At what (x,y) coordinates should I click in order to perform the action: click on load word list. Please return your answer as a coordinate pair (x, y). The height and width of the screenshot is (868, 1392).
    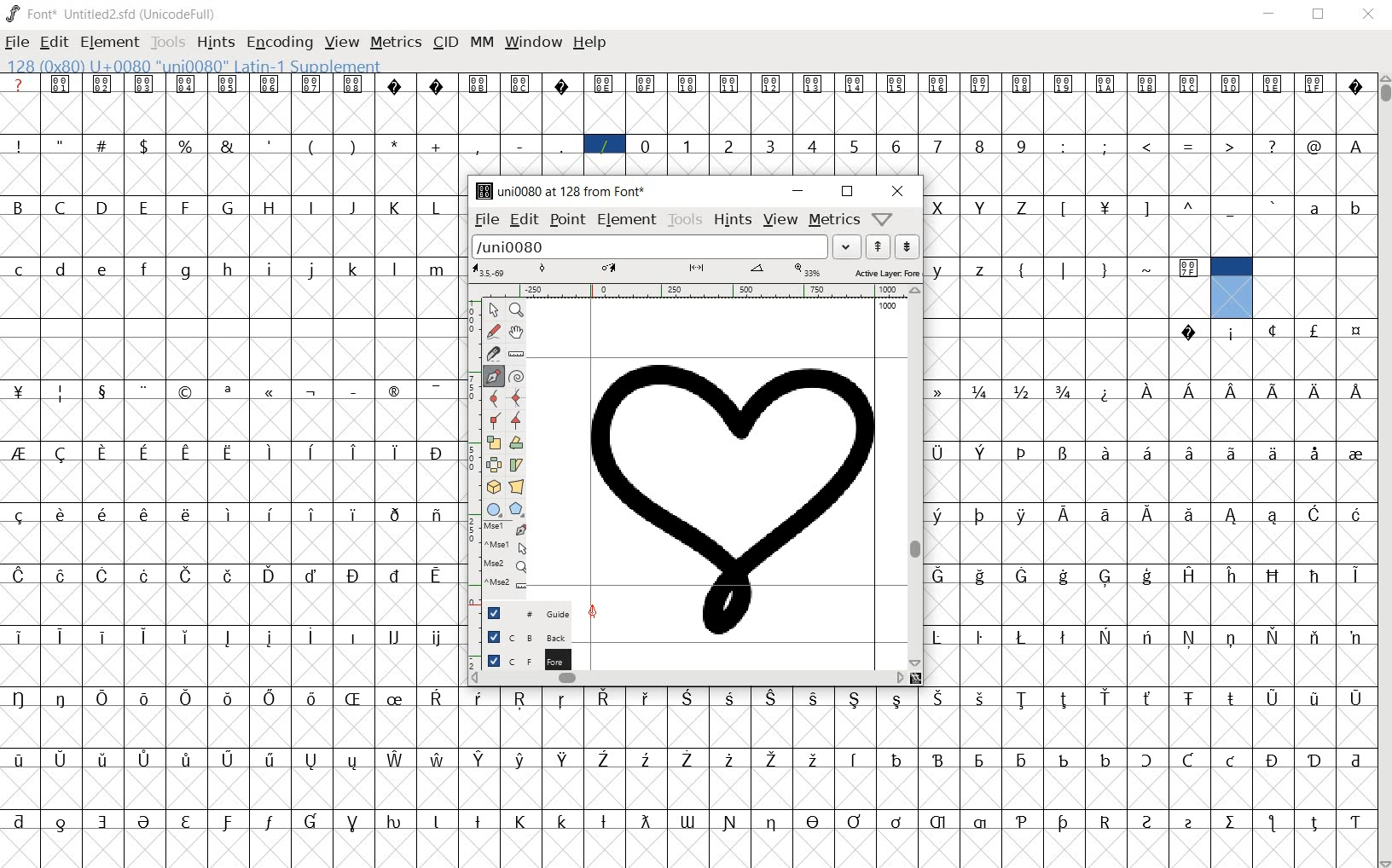
    Looking at the image, I should click on (650, 246).